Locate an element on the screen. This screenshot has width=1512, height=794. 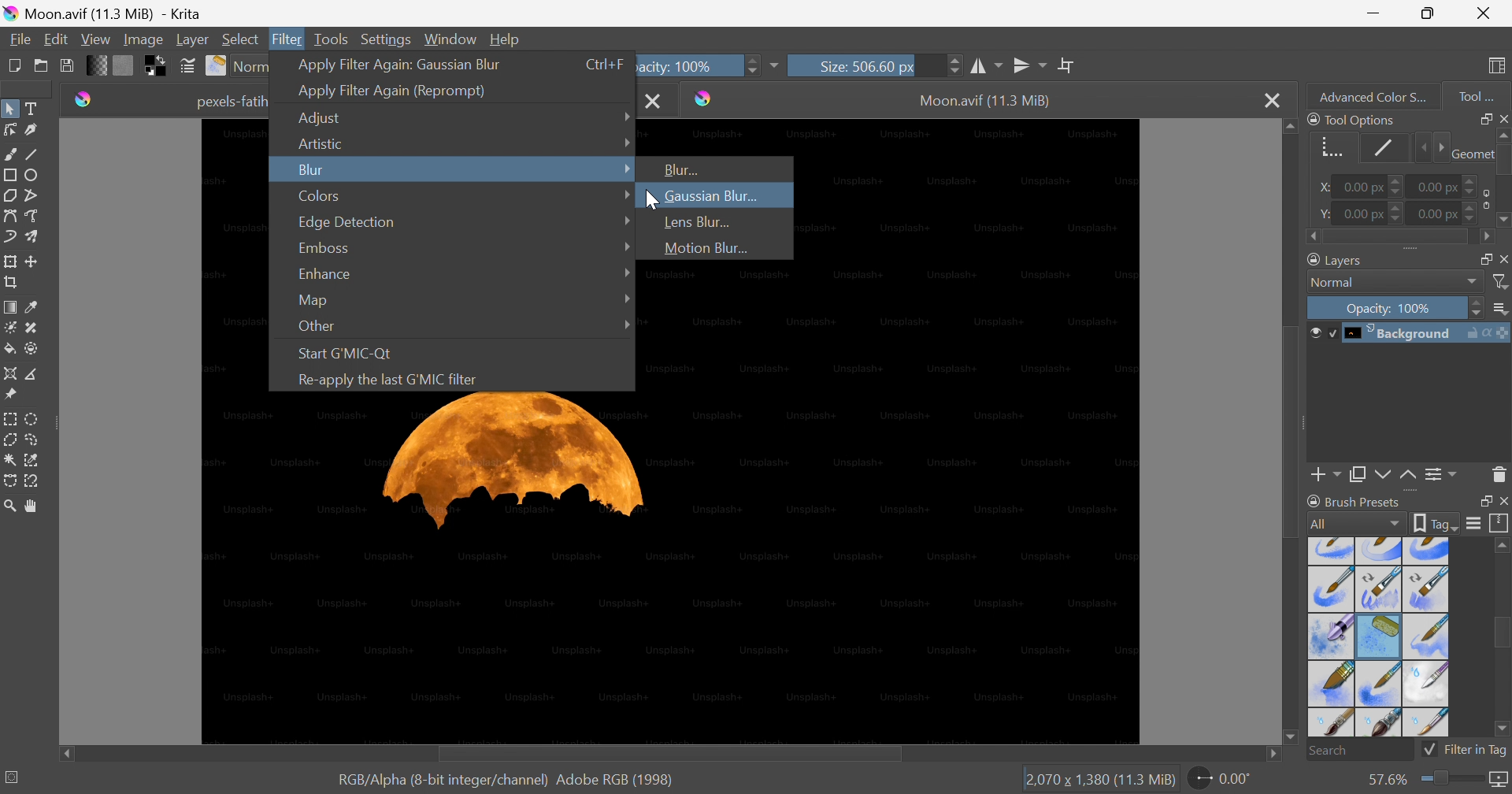
Close is located at coordinates (1271, 98).